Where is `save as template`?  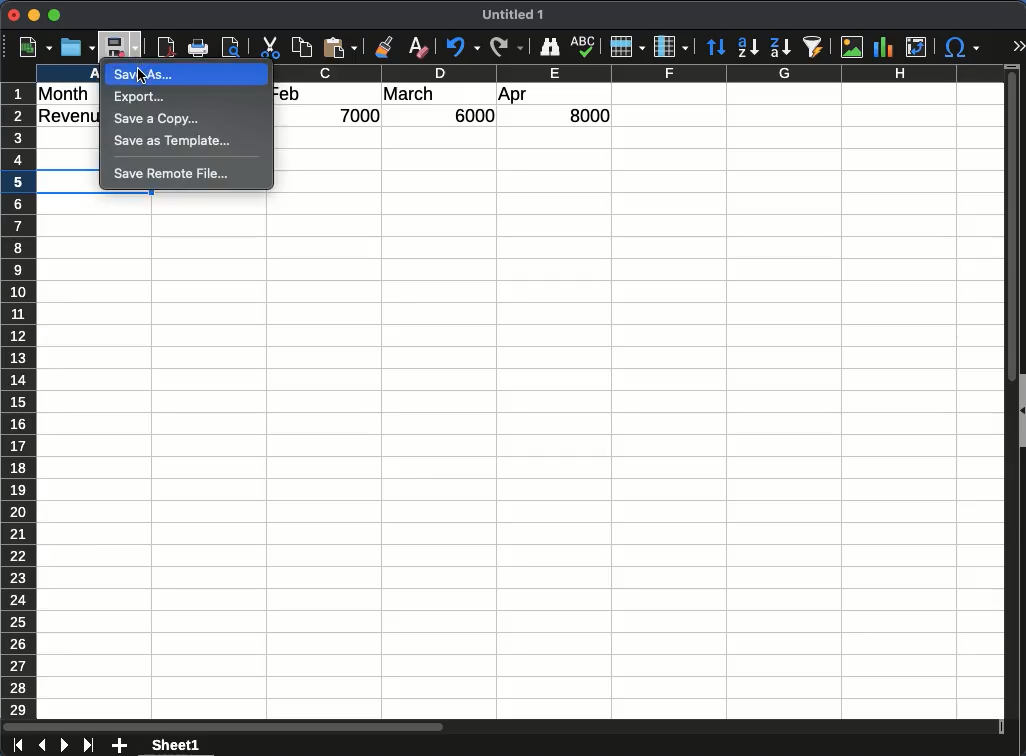 save as template is located at coordinates (177, 141).